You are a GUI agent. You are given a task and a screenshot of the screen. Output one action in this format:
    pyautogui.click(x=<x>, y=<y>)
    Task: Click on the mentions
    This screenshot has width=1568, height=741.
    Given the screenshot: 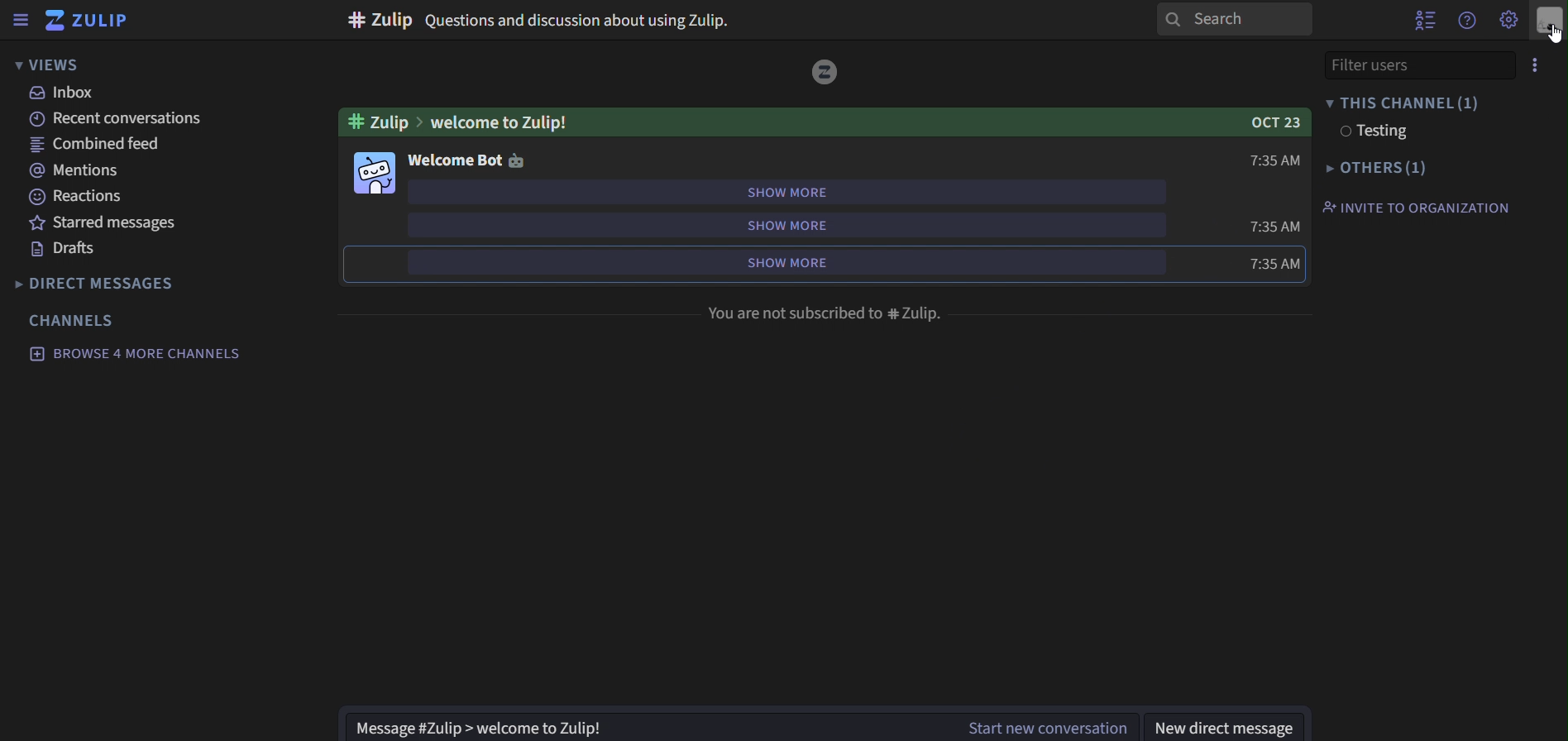 What is the action you would take?
    pyautogui.click(x=73, y=170)
    